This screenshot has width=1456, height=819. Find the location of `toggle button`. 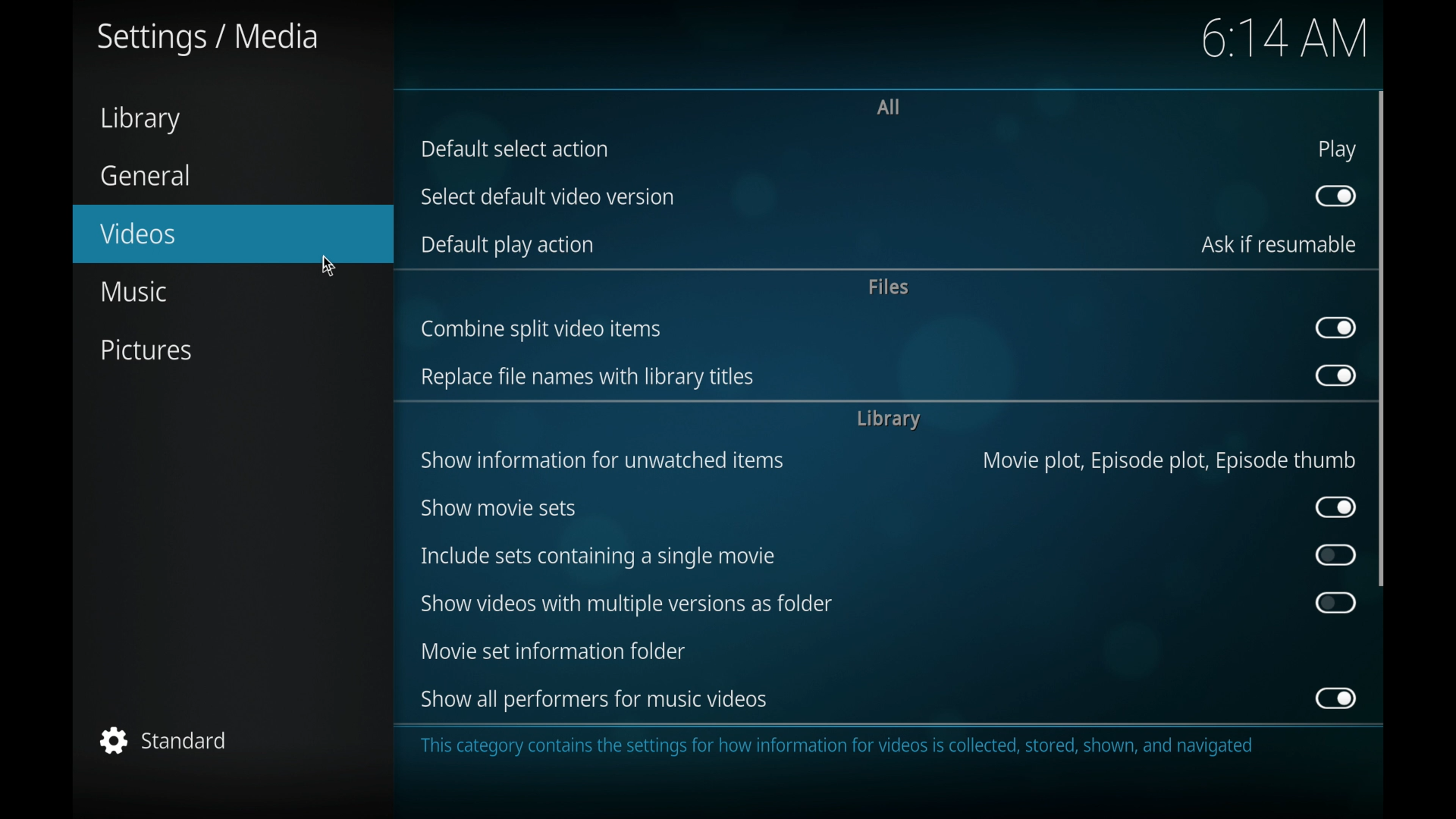

toggle button is located at coordinates (1335, 376).